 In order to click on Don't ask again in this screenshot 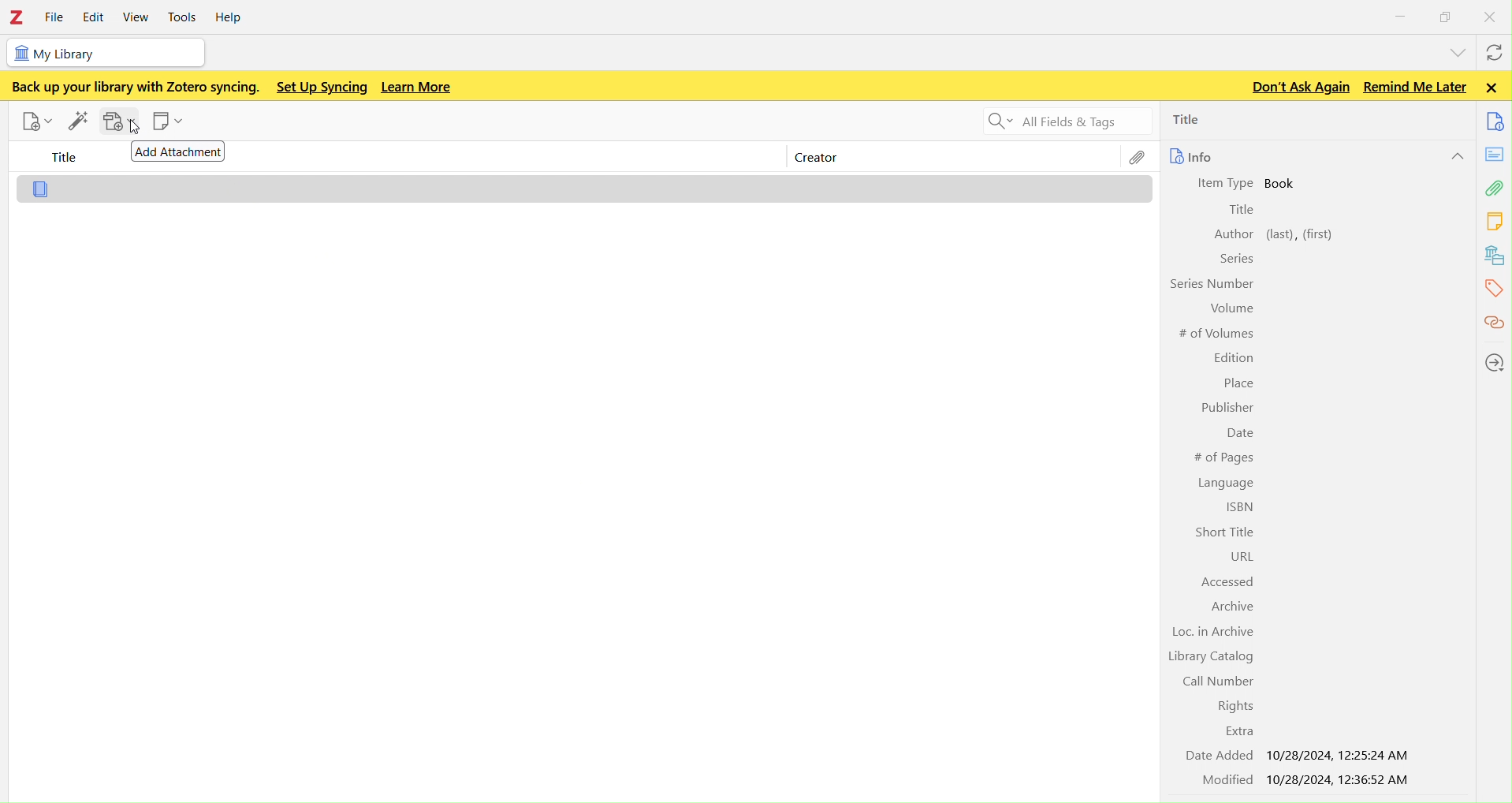, I will do `click(1298, 86)`.